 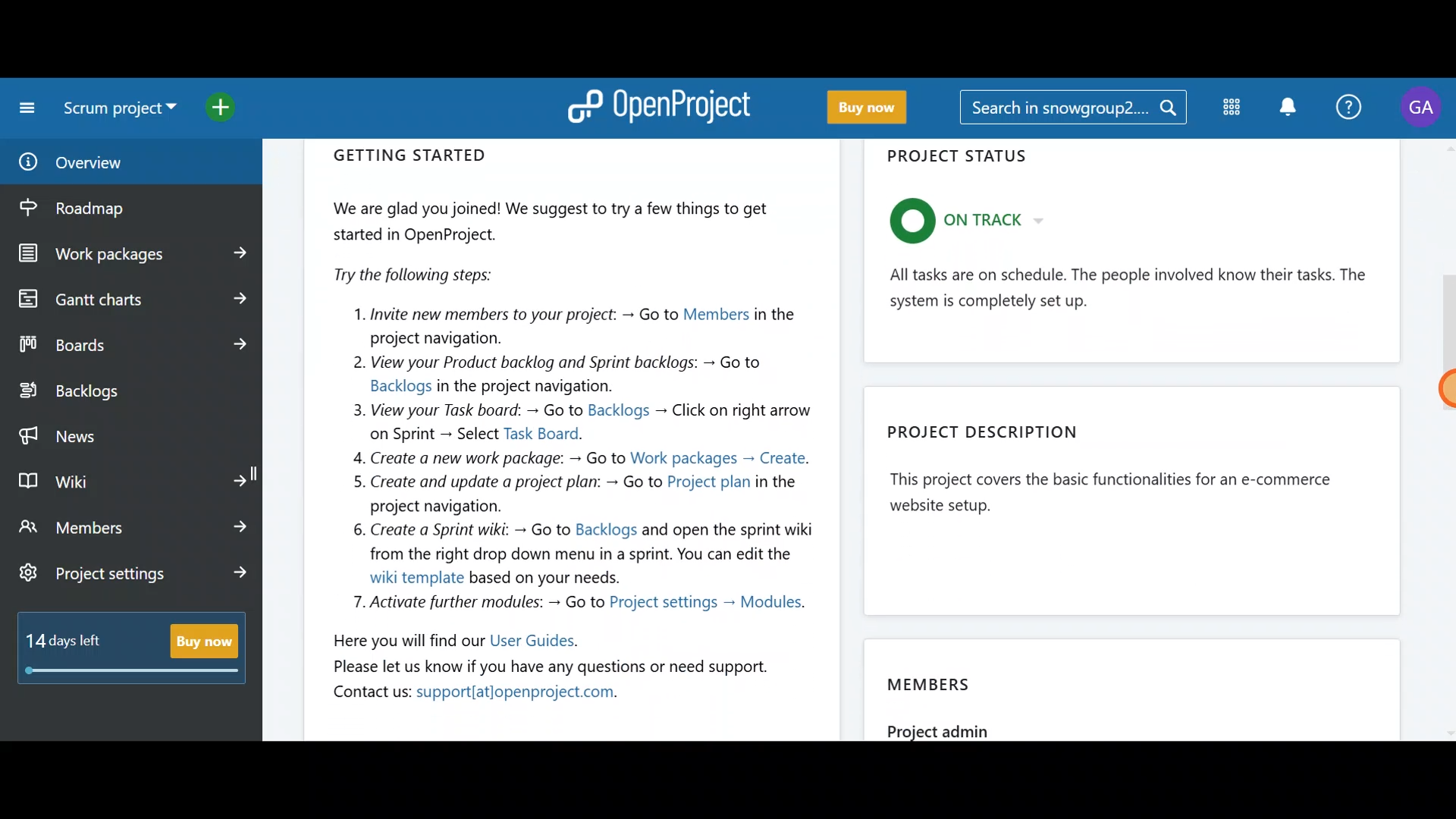 What do you see at coordinates (573, 428) in the screenshot?
I see `Getting started` at bounding box center [573, 428].